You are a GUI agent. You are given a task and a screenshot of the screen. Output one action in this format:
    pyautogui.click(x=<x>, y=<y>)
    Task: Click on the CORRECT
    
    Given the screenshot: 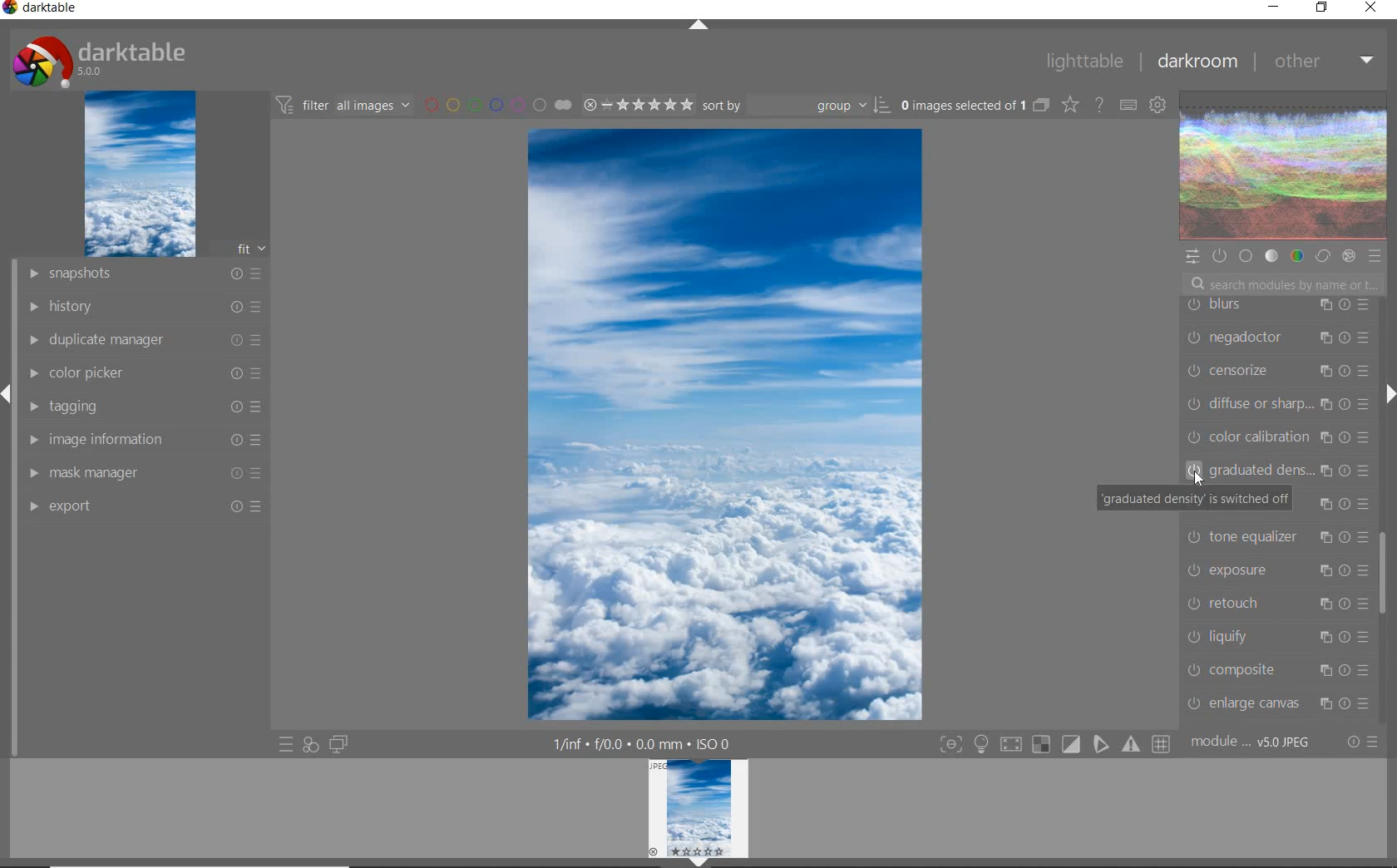 What is the action you would take?
    pyautogui.click(x=1322, y=255)
    